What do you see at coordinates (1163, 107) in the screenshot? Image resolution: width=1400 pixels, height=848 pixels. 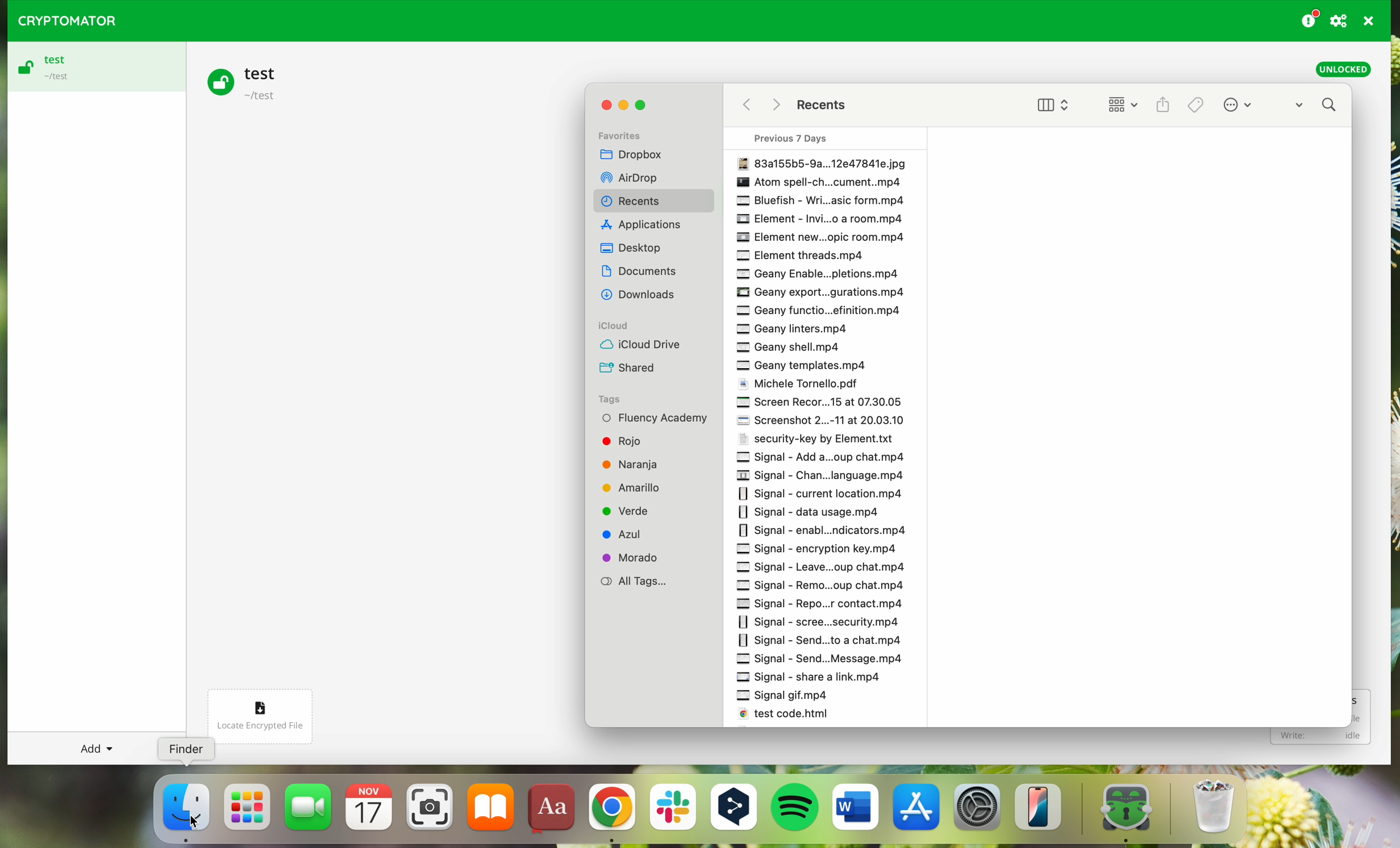 I see `share` at bounding box center [1163, 107].